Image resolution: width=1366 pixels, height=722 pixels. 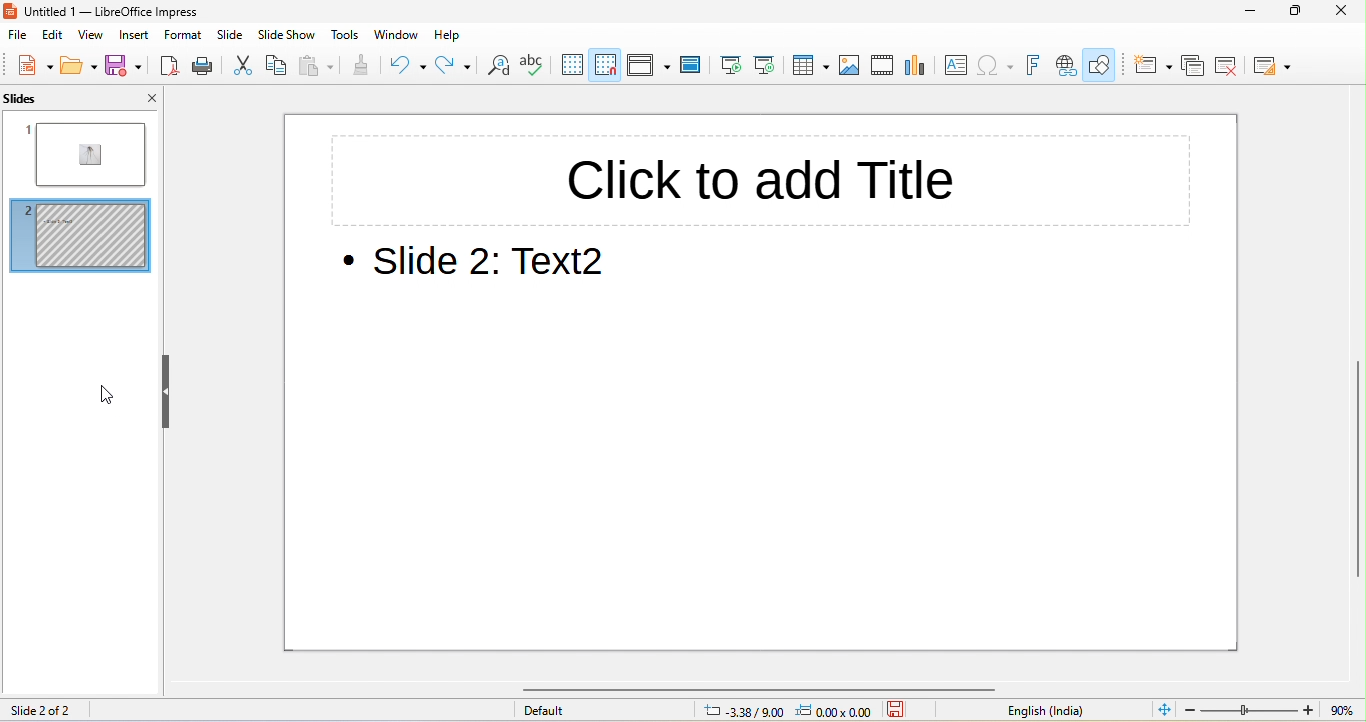 What do you see at coordinates (245, 67) in the screenshot?
I see `cut` at bounding box center [245, 67].